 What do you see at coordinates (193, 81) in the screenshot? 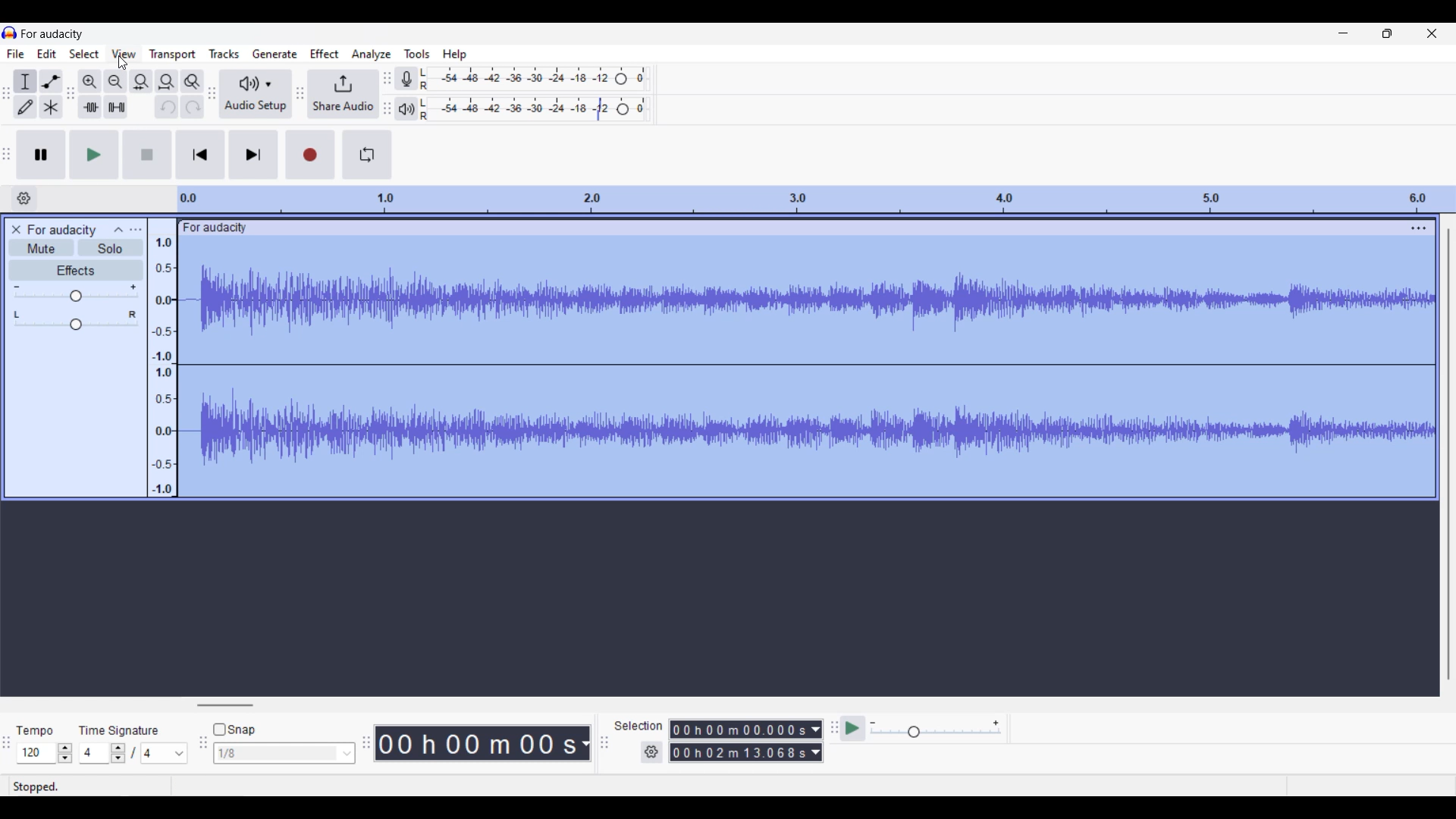
I see `Zoom toggle` at bounding box center [193, 81].